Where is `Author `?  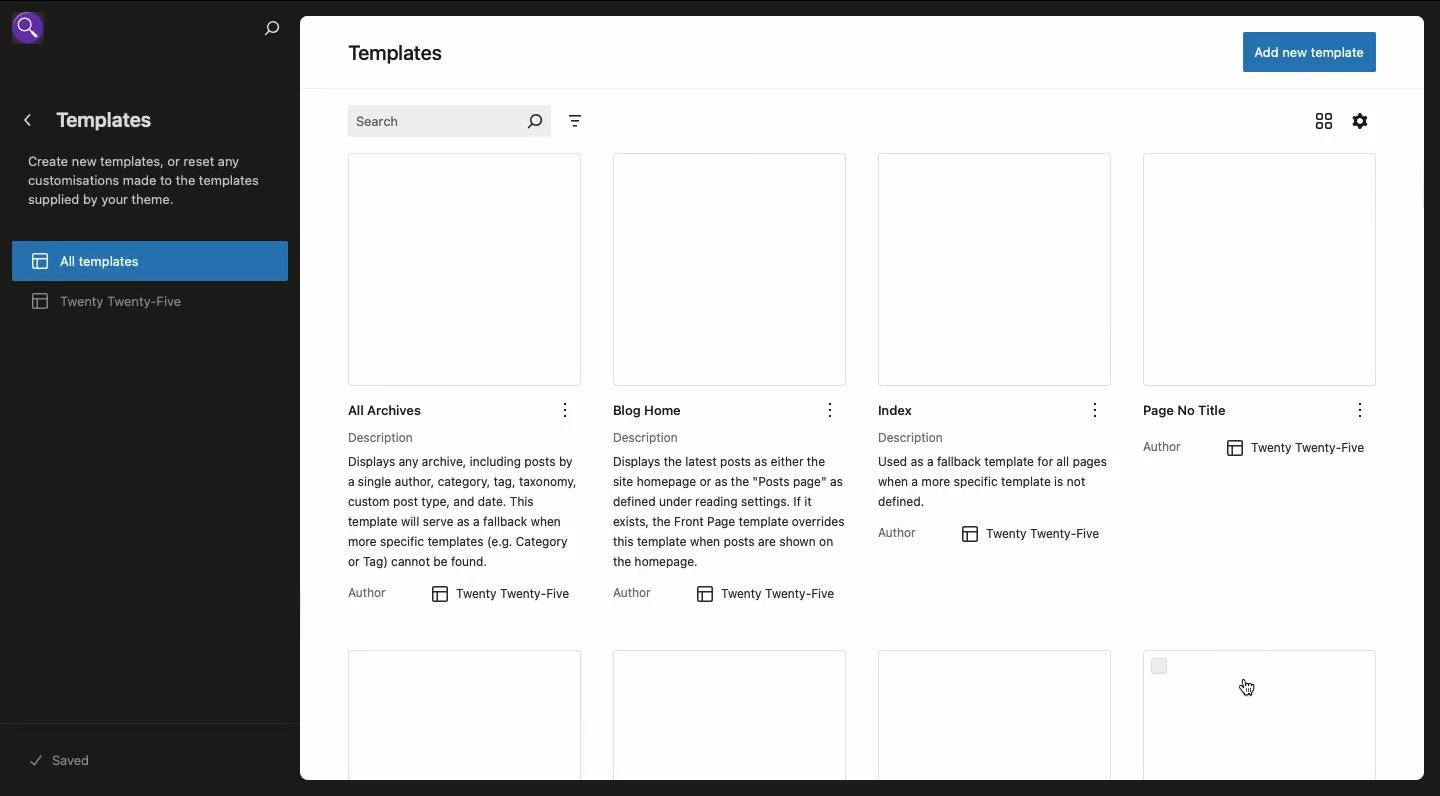 Author  is located at coordinates (902, 532).